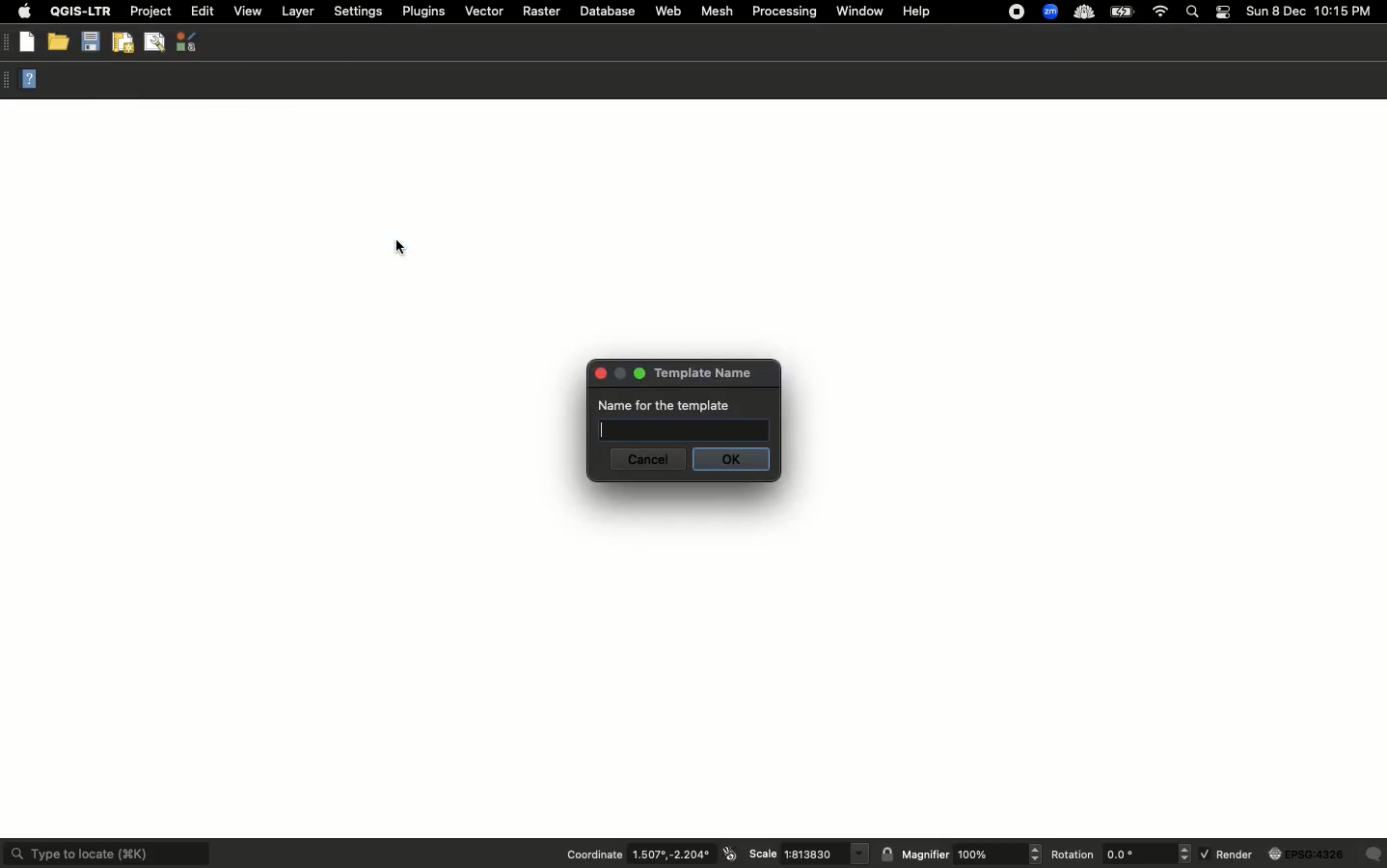  I want to click on Edit, so click(200, 12).